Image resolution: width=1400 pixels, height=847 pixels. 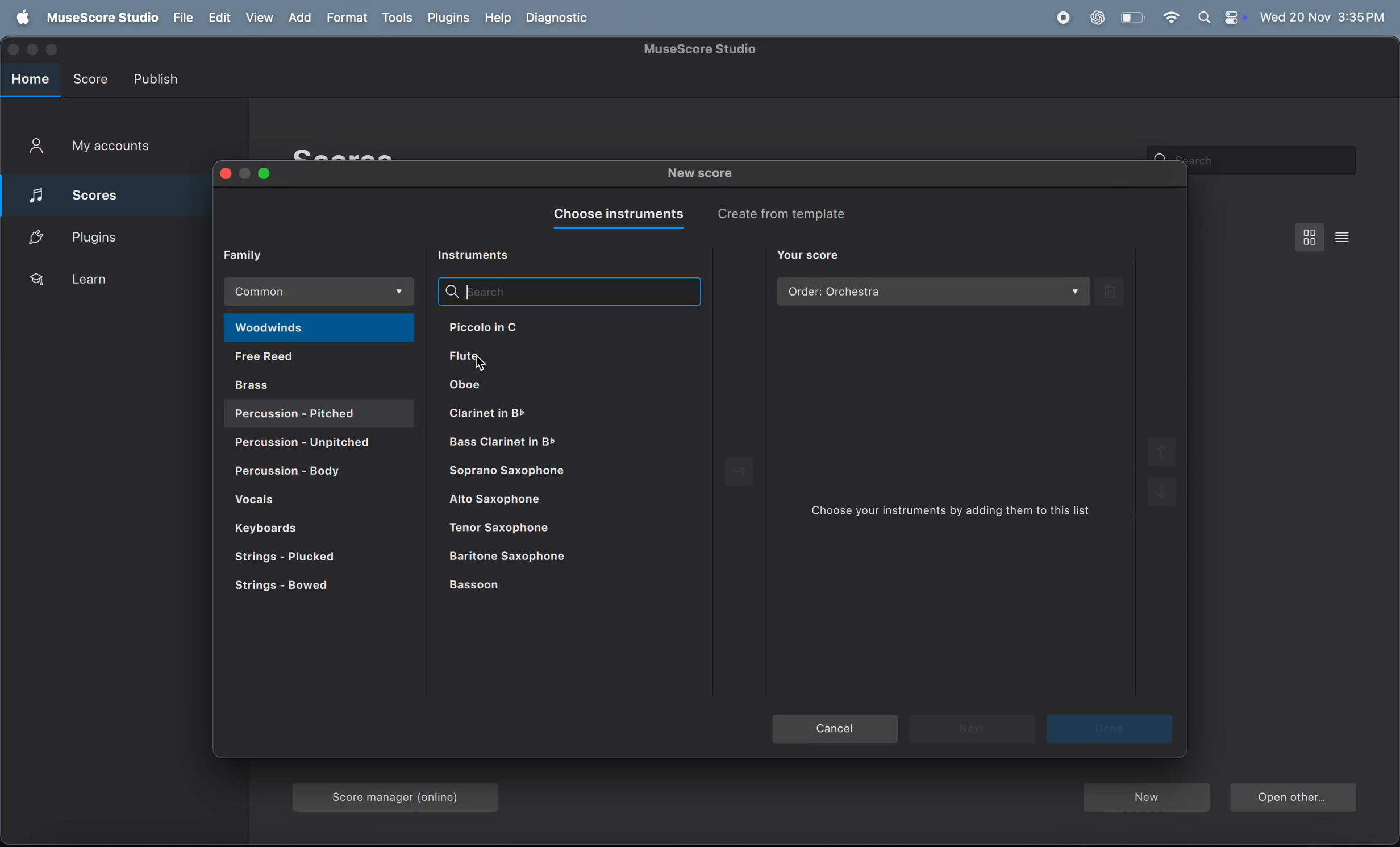 What do you see at coordinates (568, 291) in the screenshot?
I see `search` at bounding box center [568, 291].